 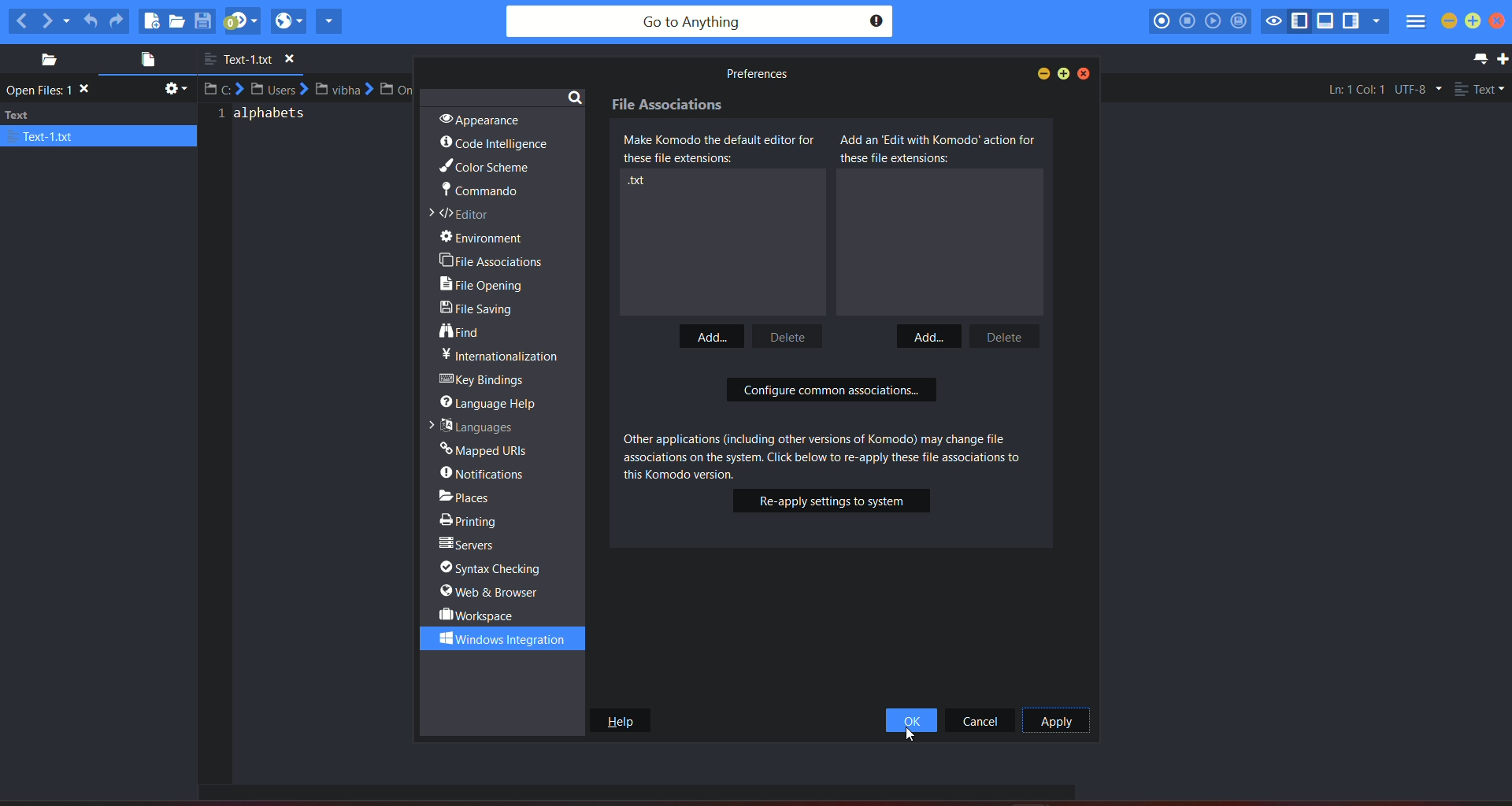 I want to click on add, so click(x=927, y=335).